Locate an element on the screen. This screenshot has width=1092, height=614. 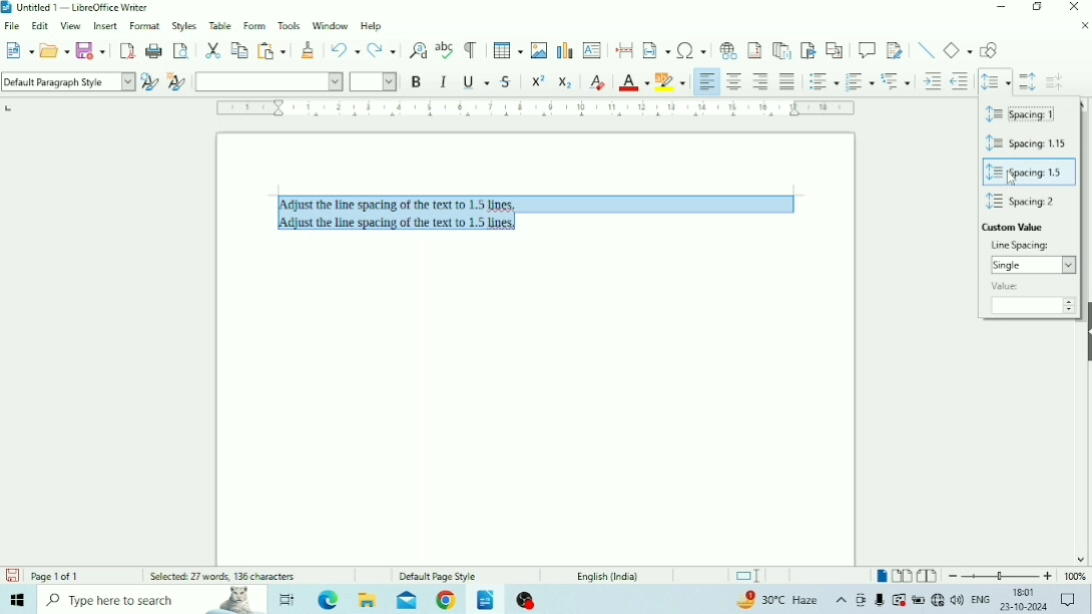
Spacing: 1.5 is located at coordinates (1029, 172).